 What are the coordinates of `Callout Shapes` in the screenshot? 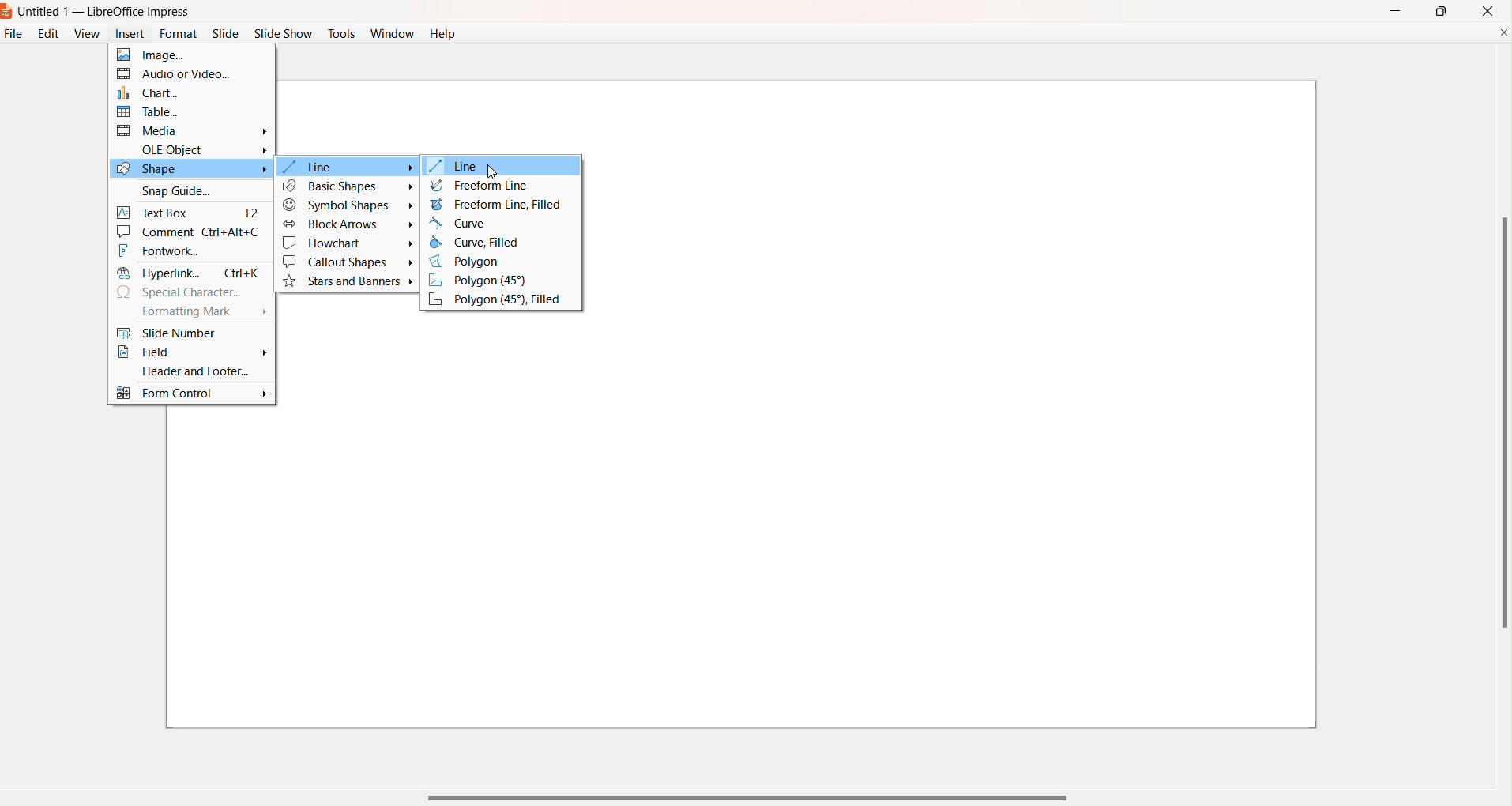 It's located at (348, 262).